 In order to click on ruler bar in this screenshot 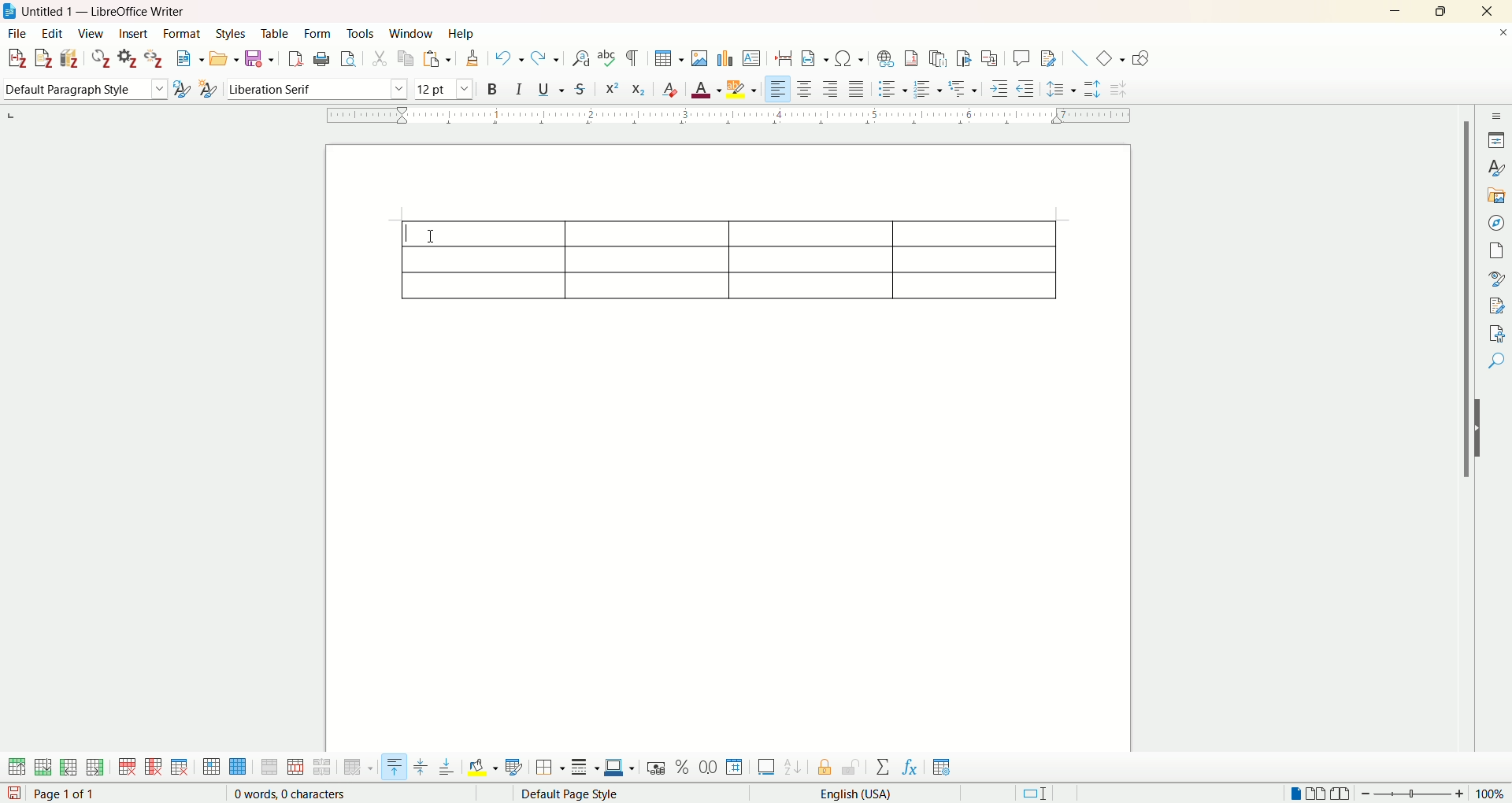, I will do `click(728, 118)`.